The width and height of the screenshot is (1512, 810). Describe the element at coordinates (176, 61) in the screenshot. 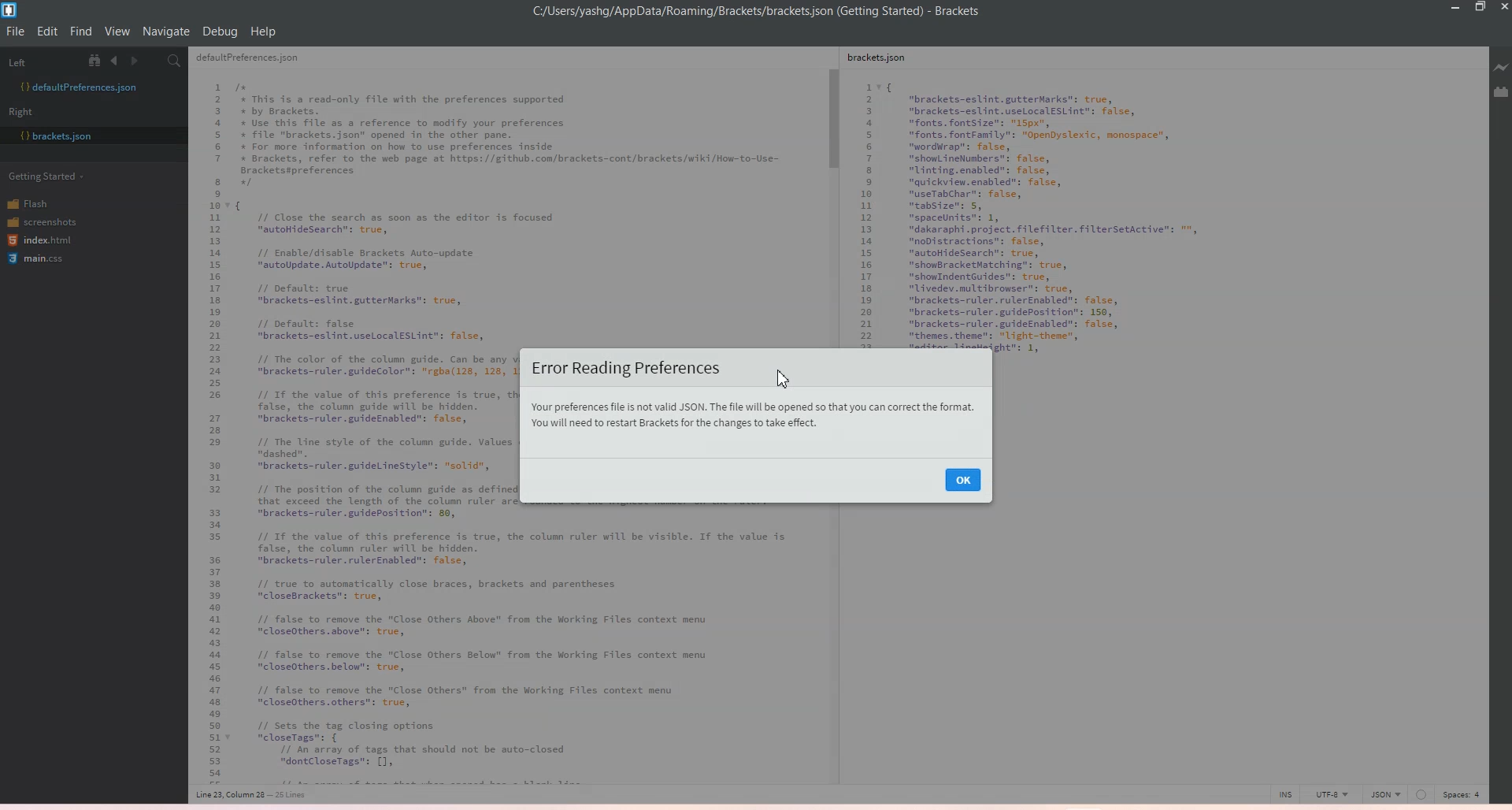

I see `Find in Files` at that location.